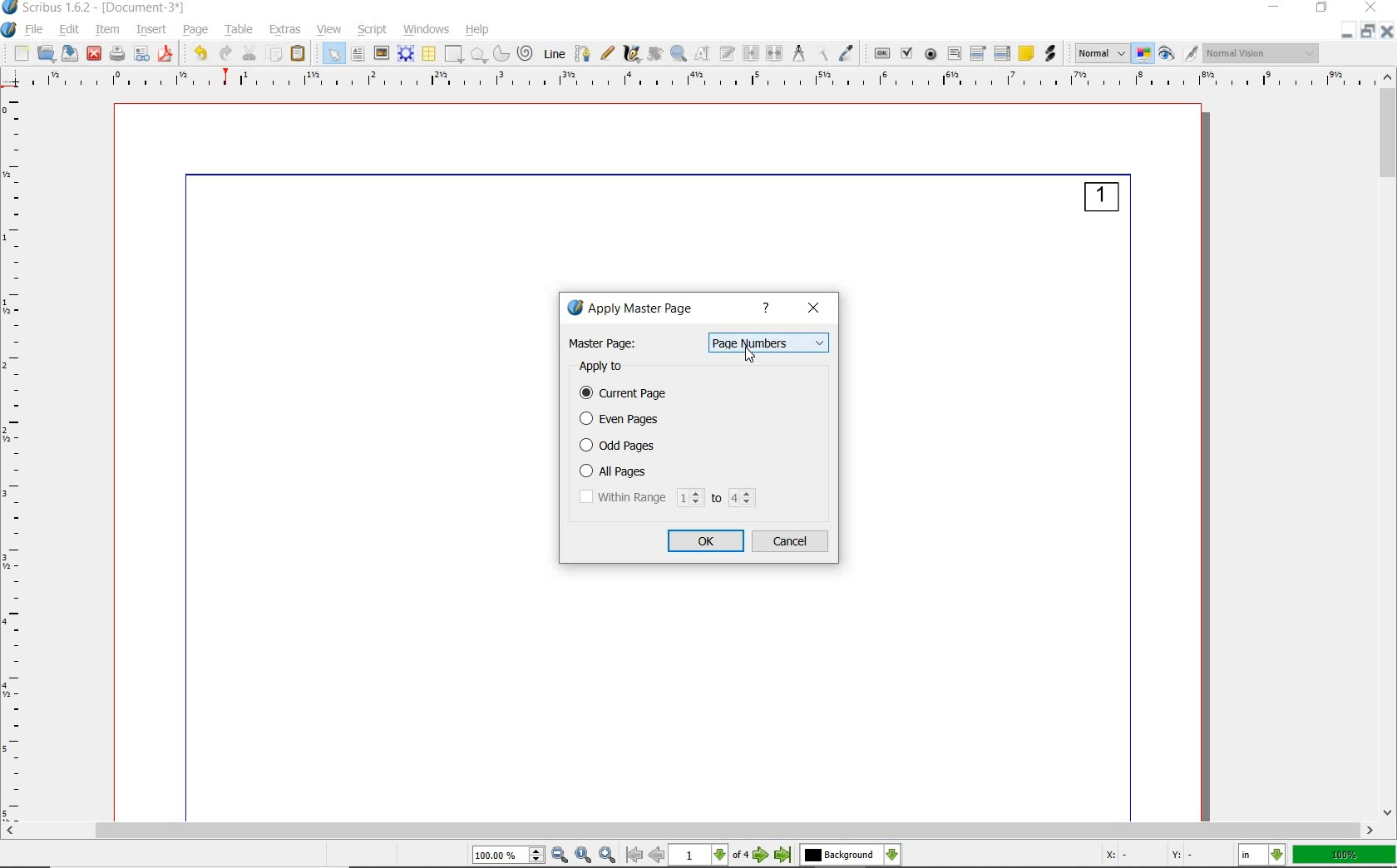 This screenshot has width=1397, height=868. What do you see at coordinates (454, 54) in the screenshot?
I see `shape` at bounding box center [454, 54].